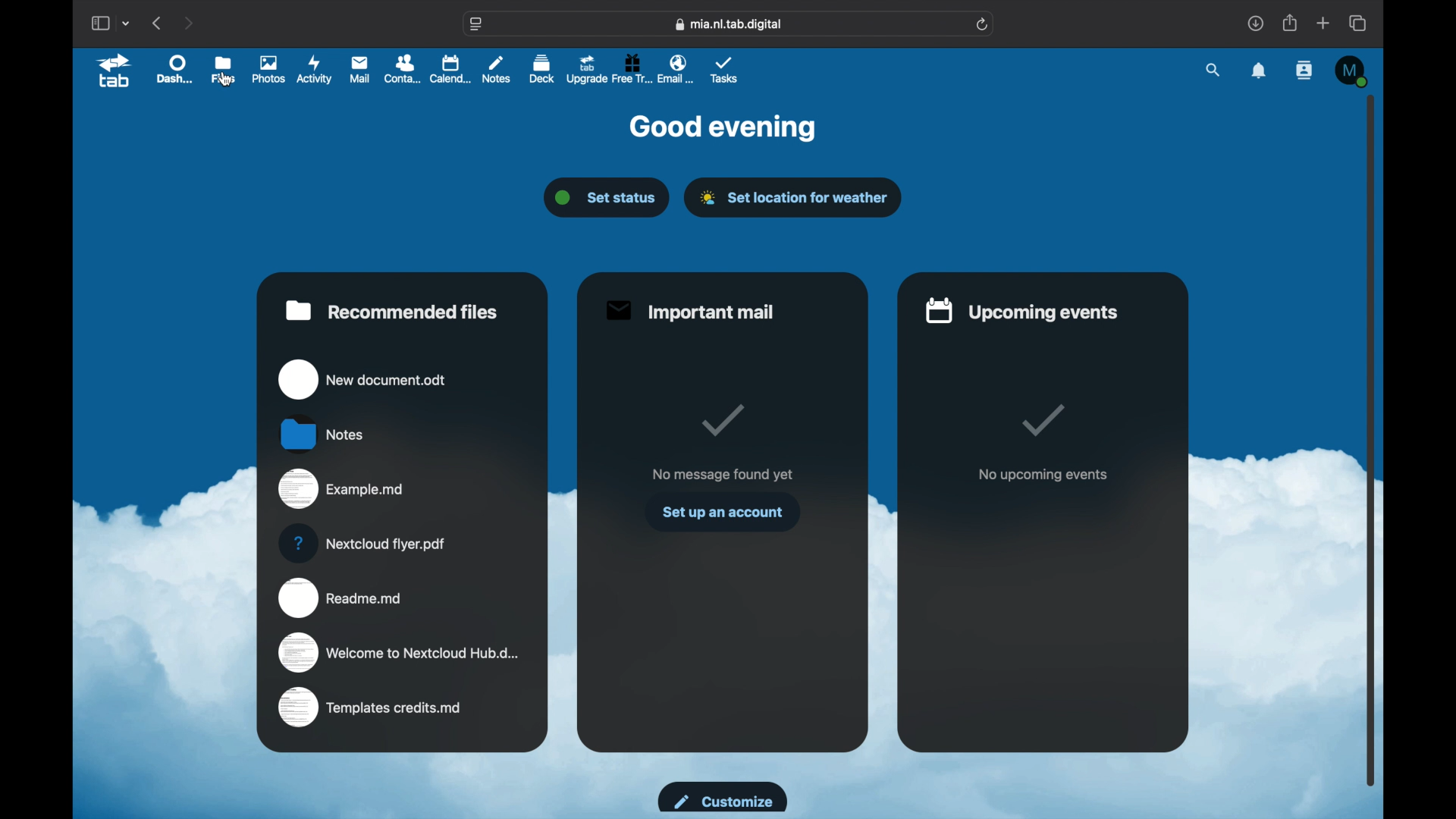 The image size is (1456, 819). What do you see at coordinates (158, 22) in the screenshot?
I see `previous` at bounding box center [158, 22].